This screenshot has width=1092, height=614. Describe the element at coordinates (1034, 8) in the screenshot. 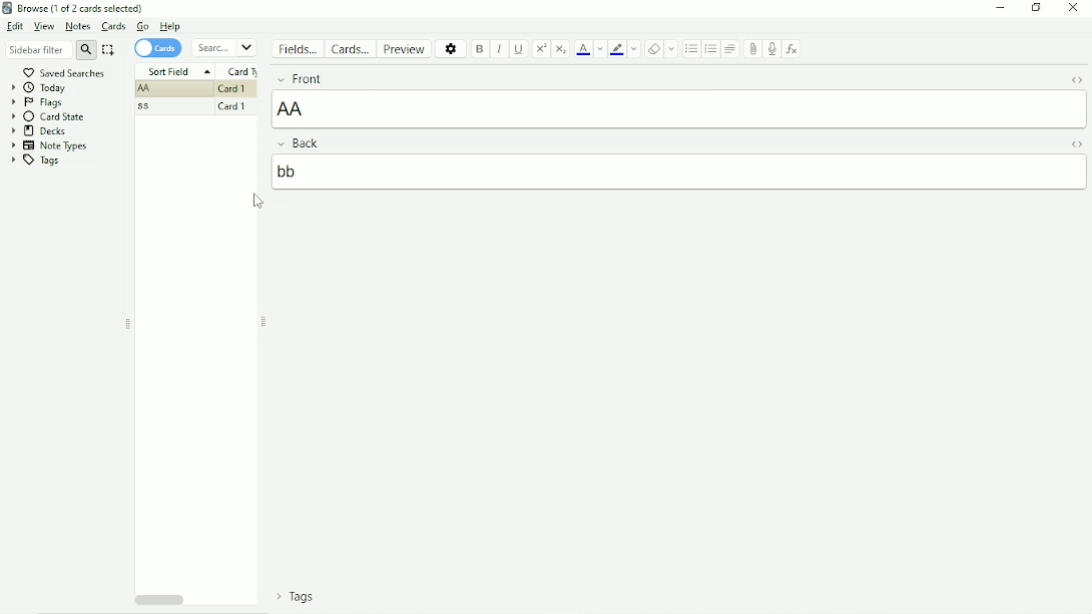

I see `Restore down` at that location.